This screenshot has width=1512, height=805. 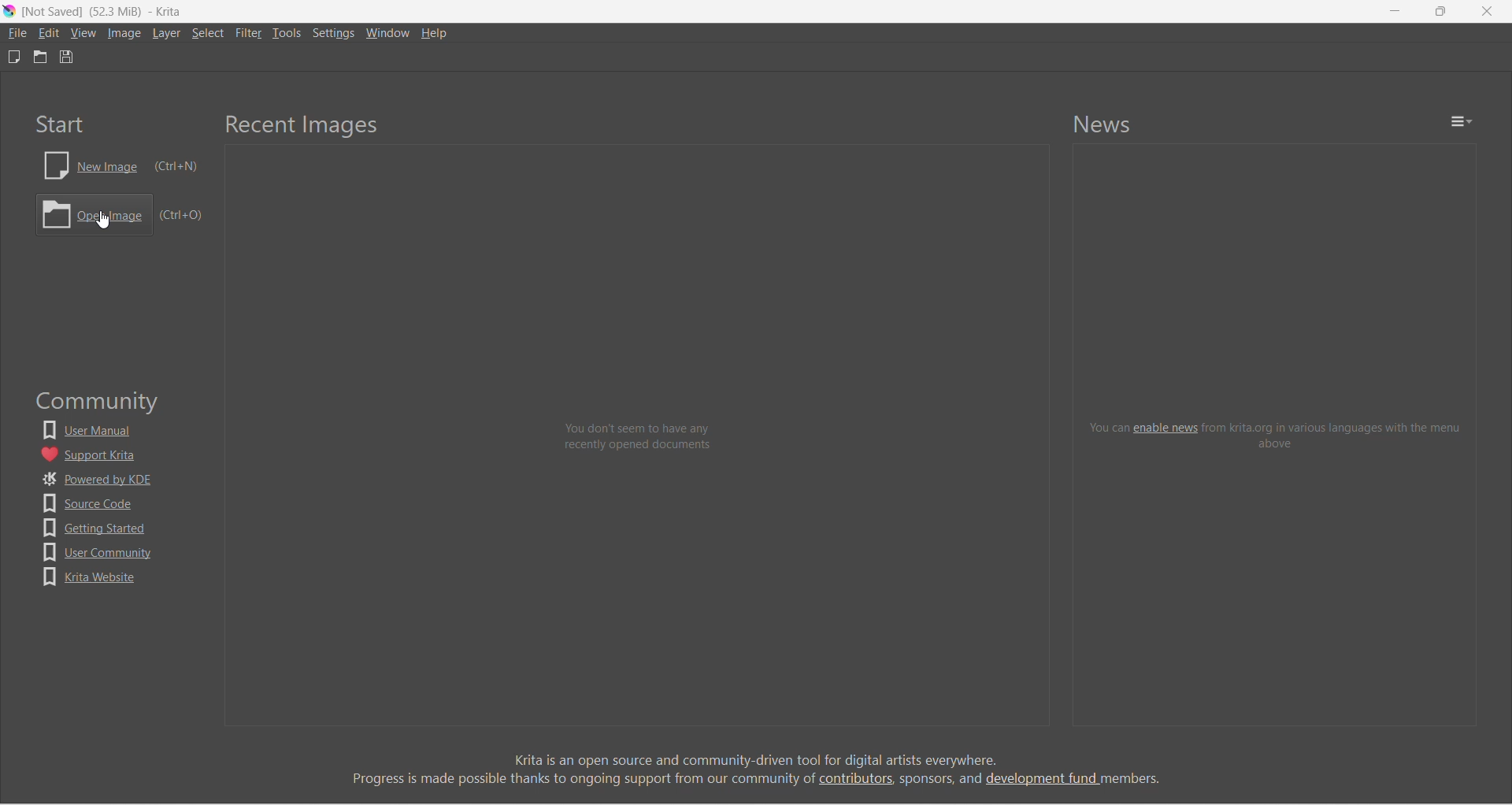 I want to click on SOURCE CODE, so click(x=94, y=503).